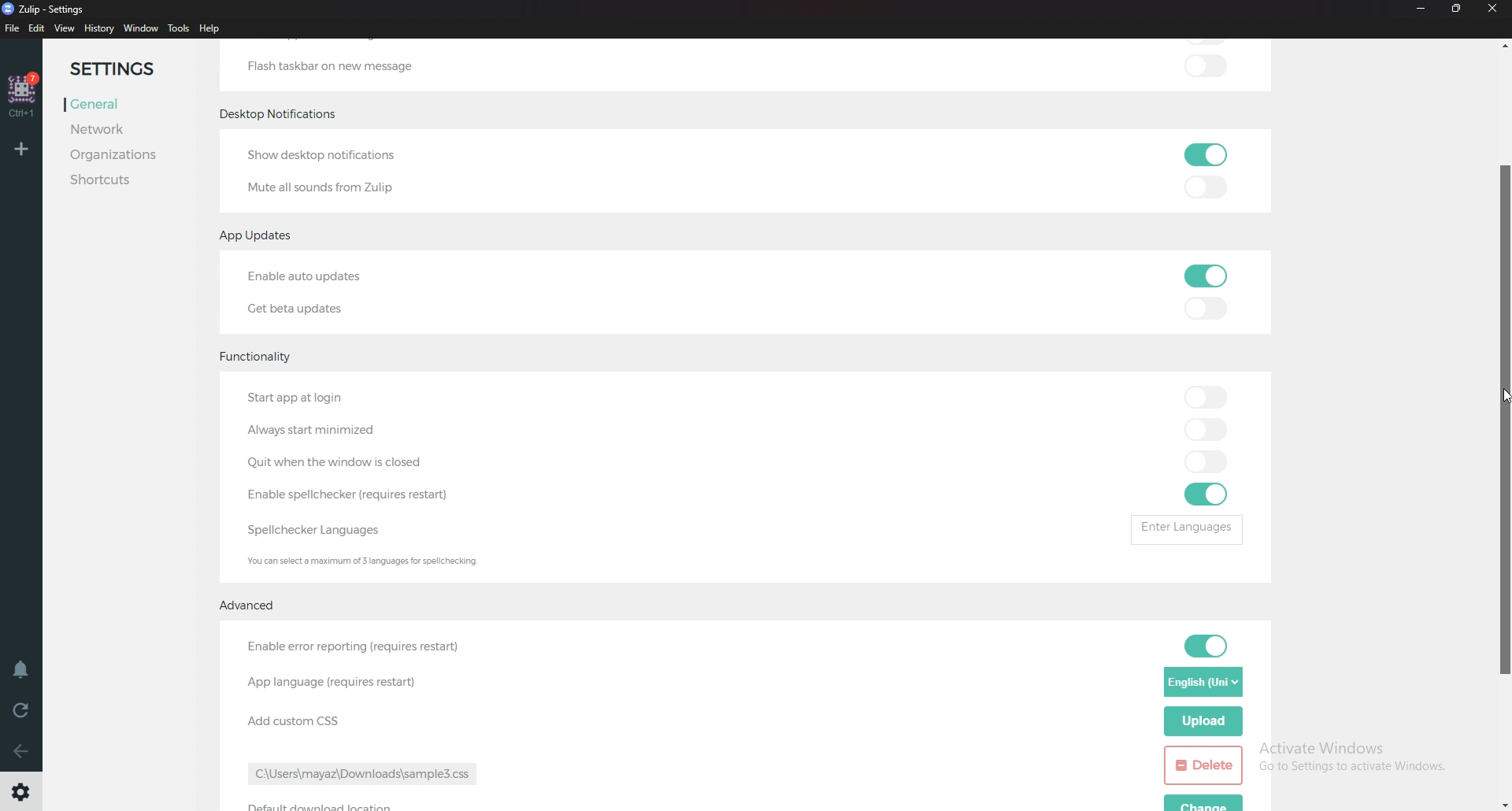 The width and height of the screenshot is (1512, 811). Describe the element at coordinates (325, 398) in the screenshot. I see `Start app at login` at that location.